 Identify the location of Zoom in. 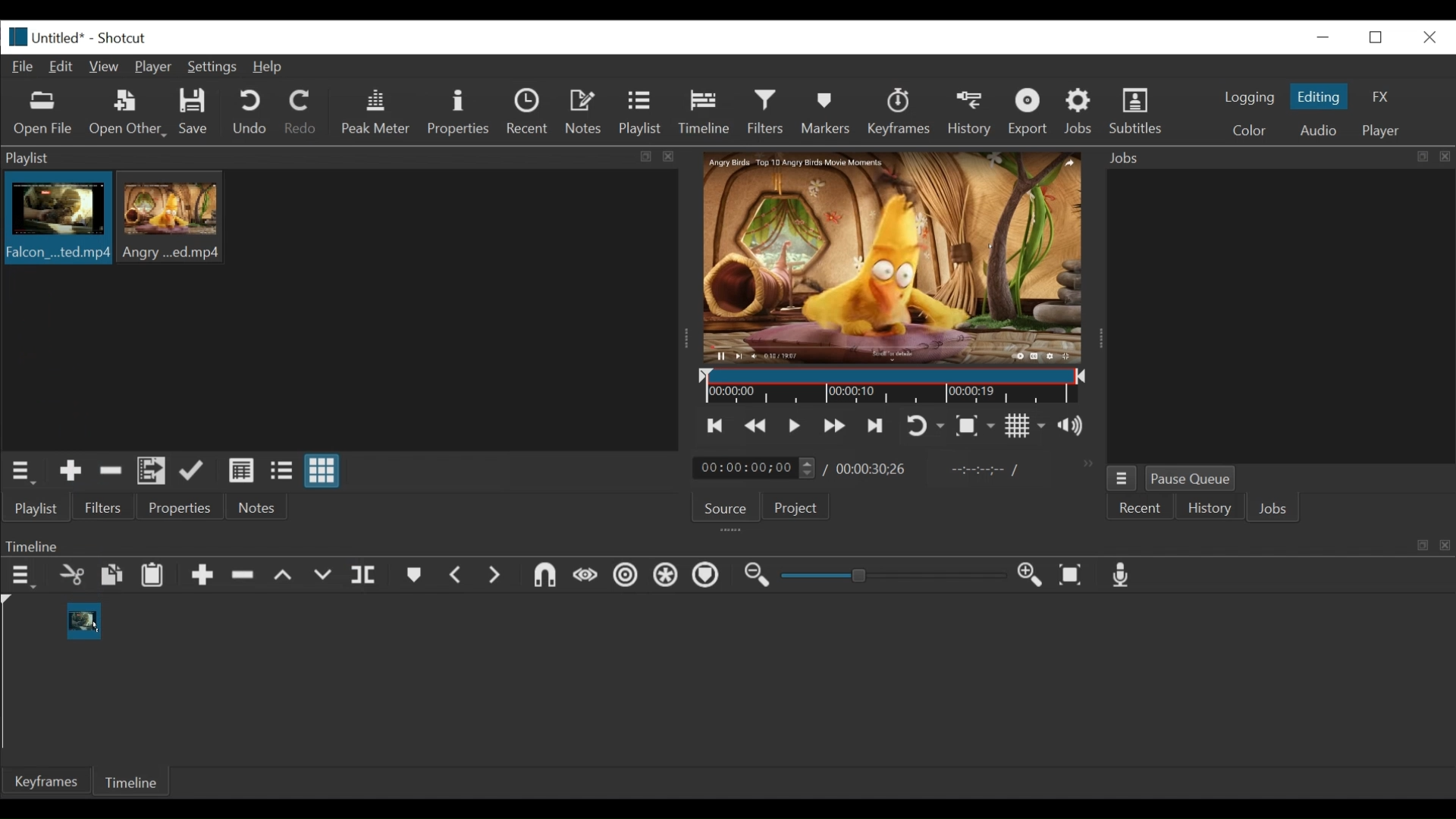
(1032, 576).